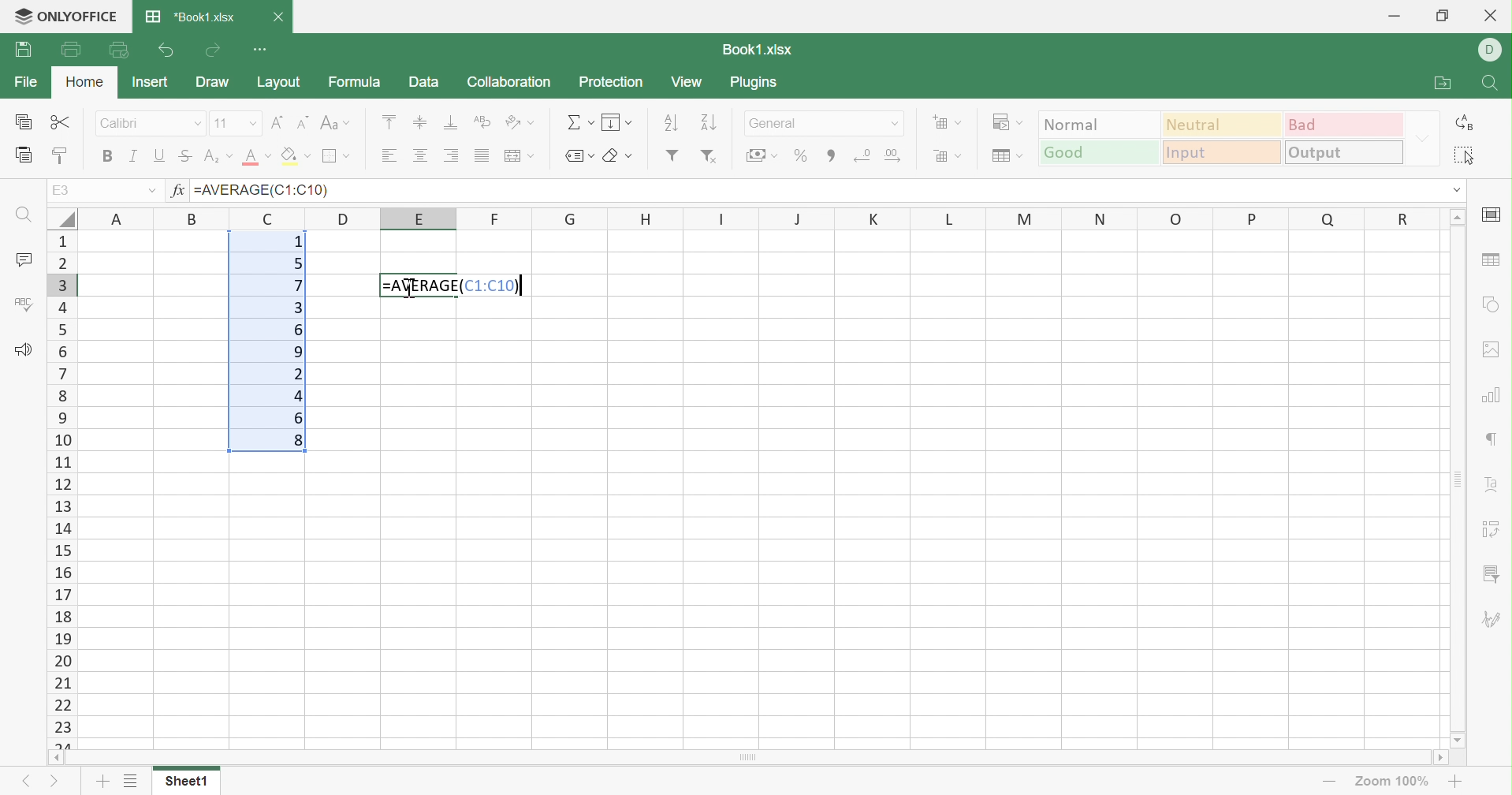  What do you see at coordinates (250, 123) in the screenshot?
I see `Drop Down` at bounding box center [250, 123].